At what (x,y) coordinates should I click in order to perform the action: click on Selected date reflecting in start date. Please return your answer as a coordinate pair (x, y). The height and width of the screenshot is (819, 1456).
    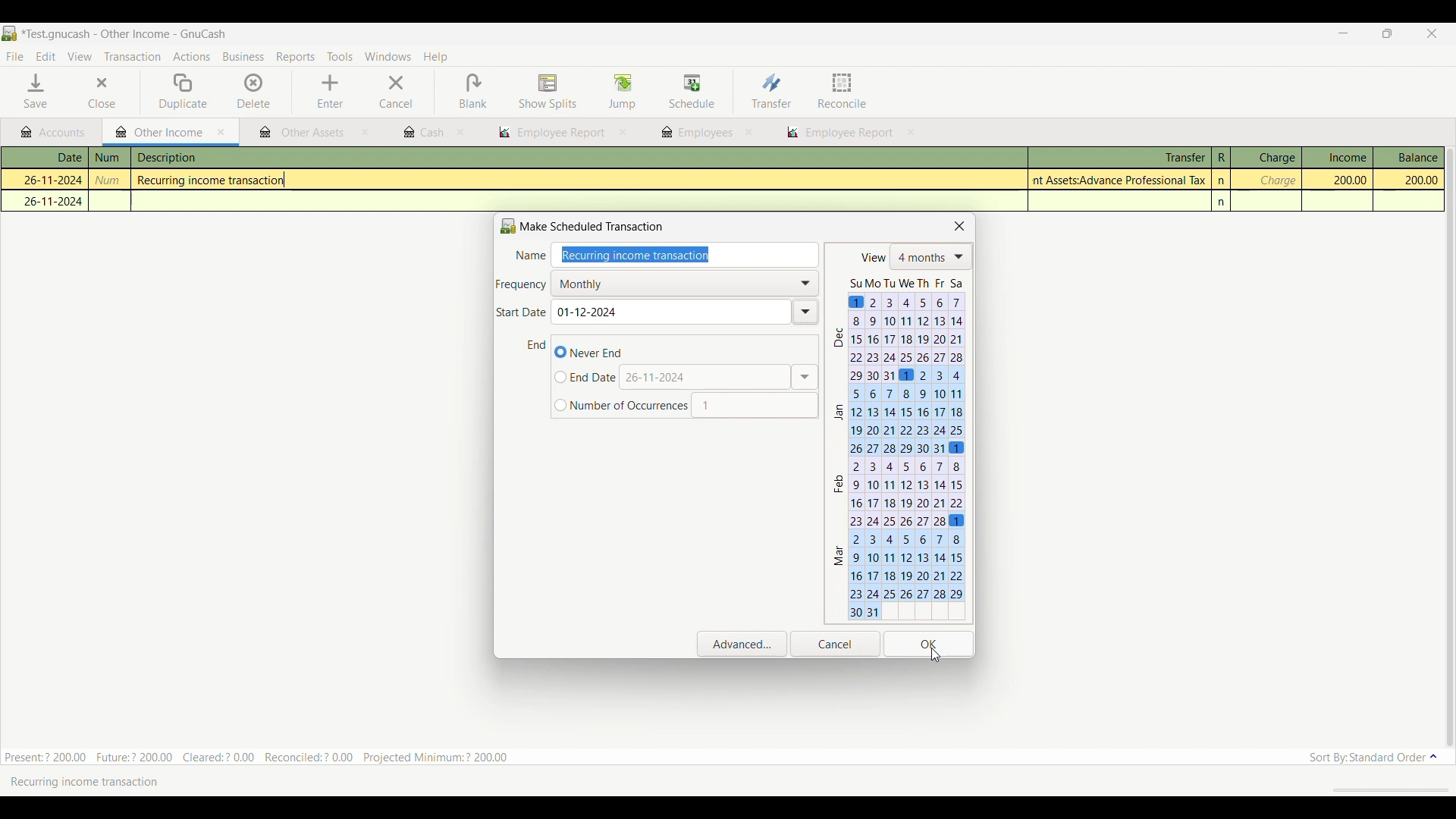
    Looking at the image, I should click on (588, 312).